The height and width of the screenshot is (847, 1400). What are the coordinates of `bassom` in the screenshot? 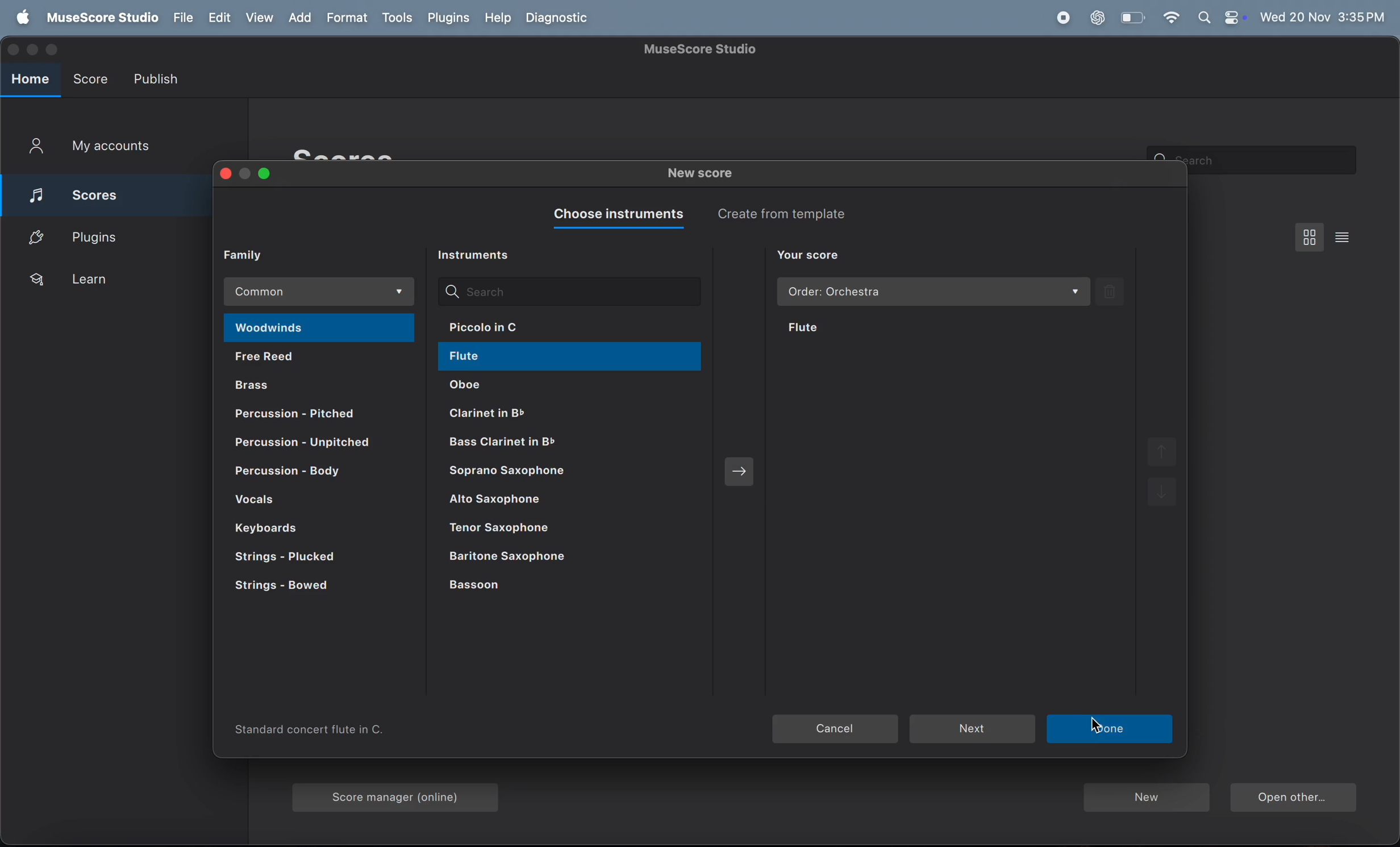 It's located at (531, 587).